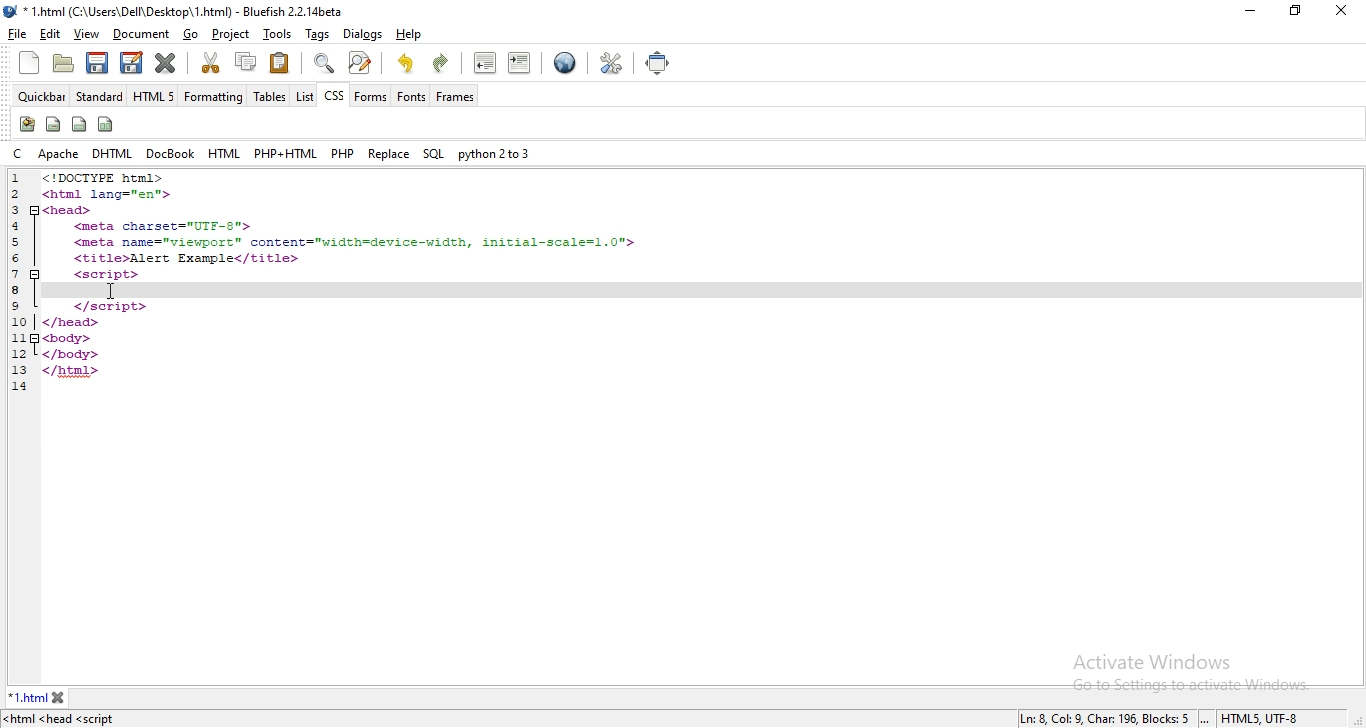 This screenshot has height=728, width=1366. I want to click on edit, so click(49, 34).